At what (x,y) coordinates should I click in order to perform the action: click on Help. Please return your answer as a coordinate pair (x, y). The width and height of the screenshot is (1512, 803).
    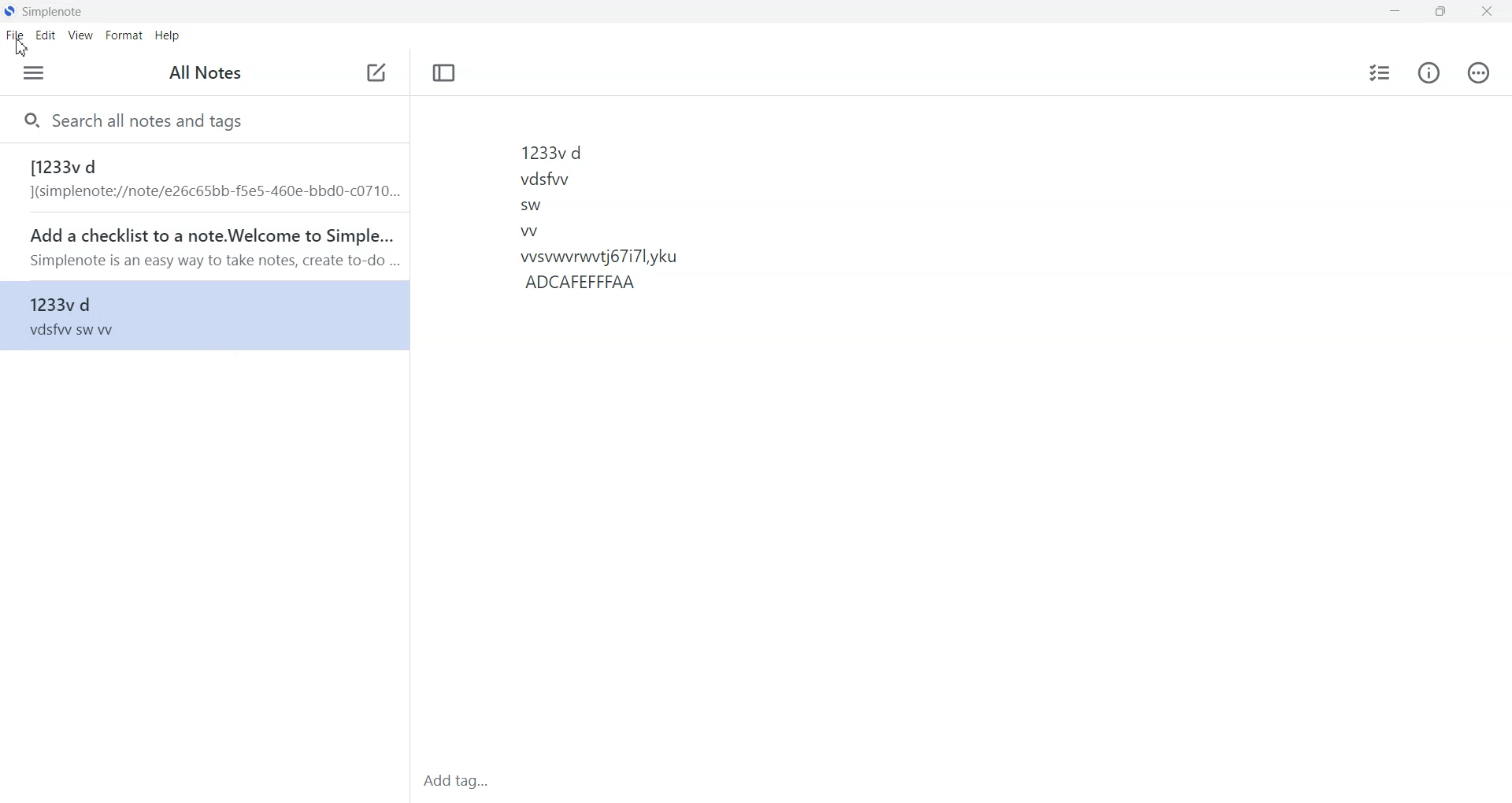
    Looking at the image, I should click on (167, 35).